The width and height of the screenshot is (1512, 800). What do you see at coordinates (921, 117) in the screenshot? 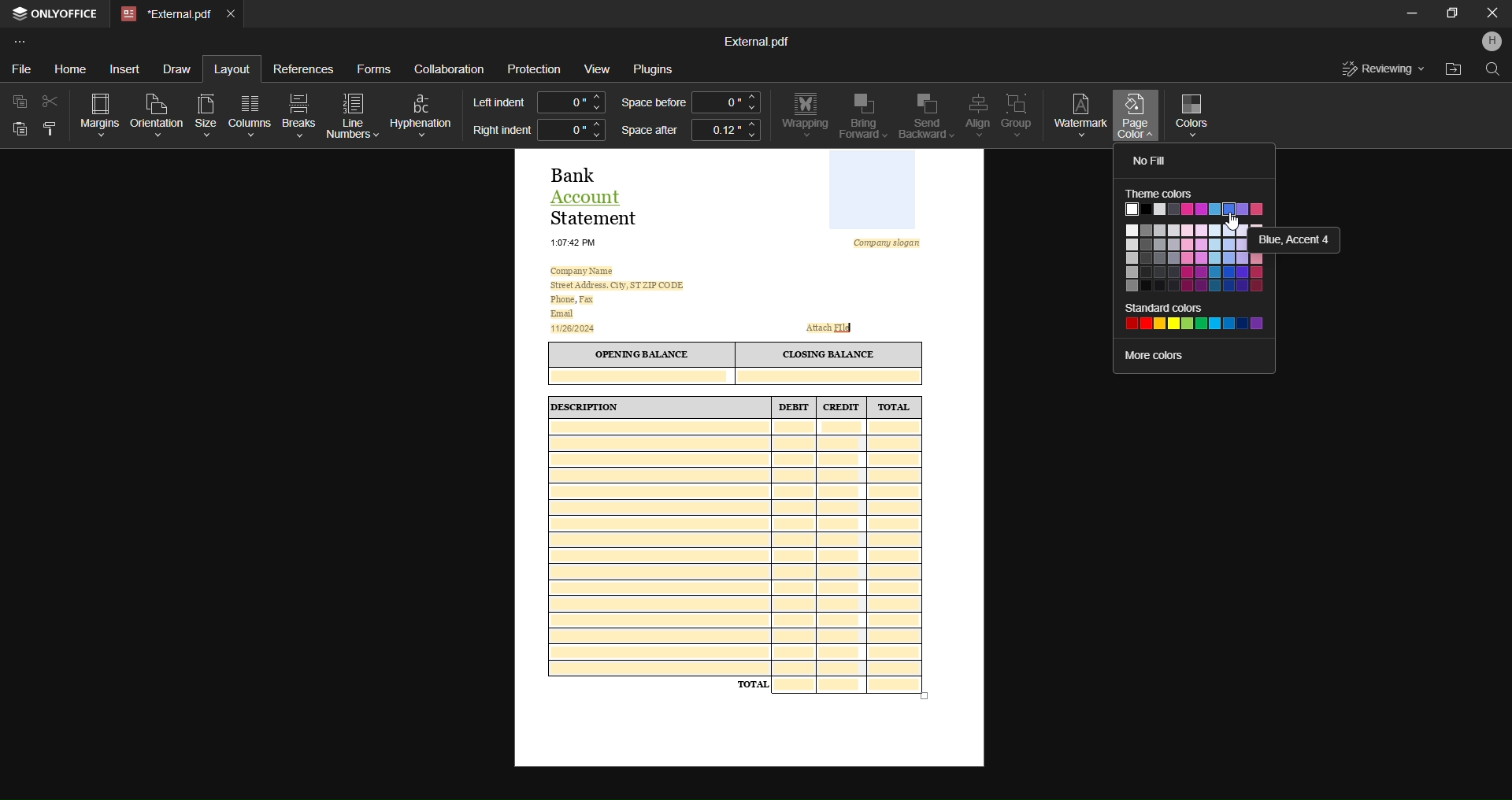
I see `Send Backward` at bounding box center [921, 117].